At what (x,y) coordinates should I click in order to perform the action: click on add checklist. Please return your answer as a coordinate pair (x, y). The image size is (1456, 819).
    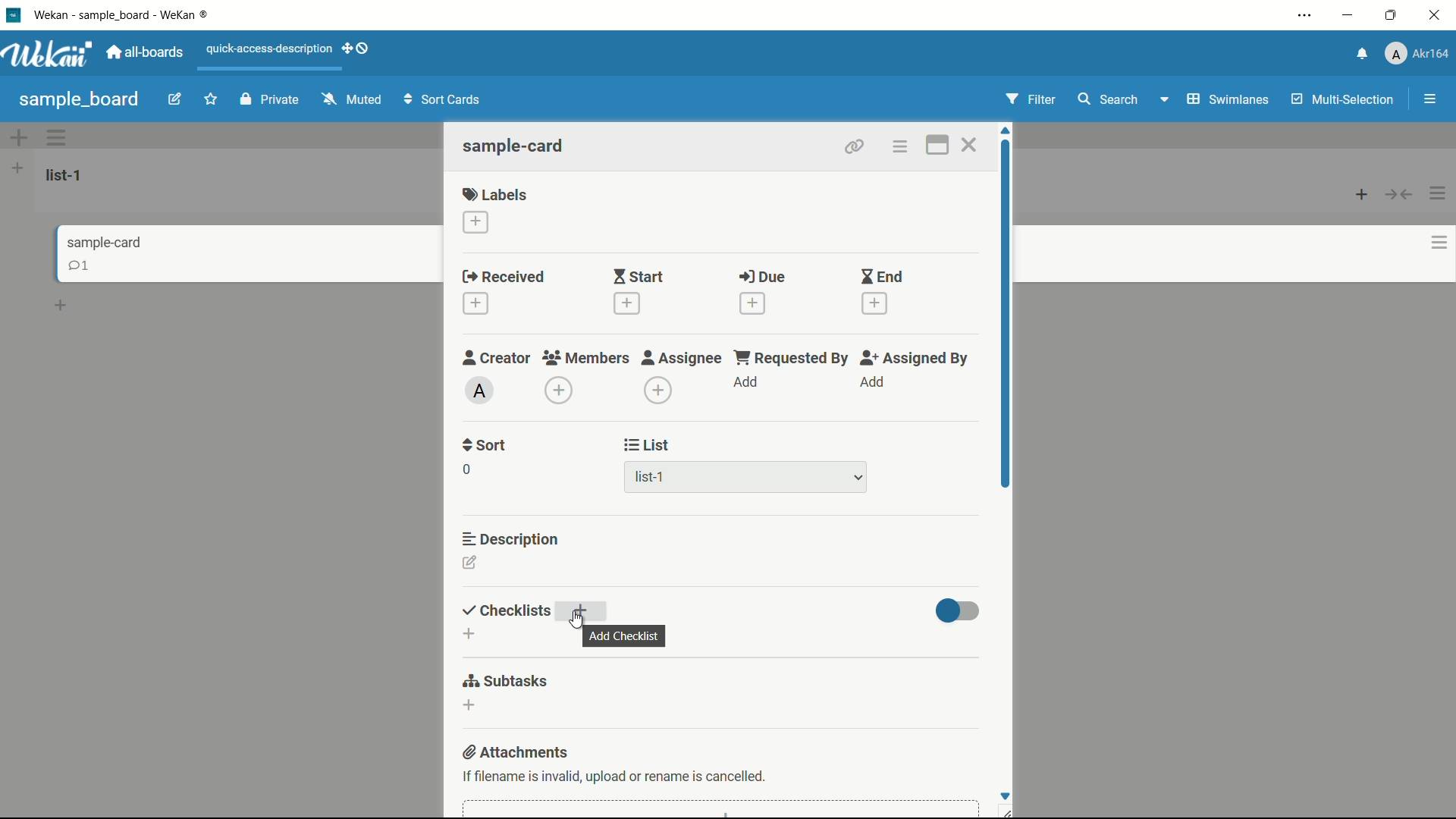
    Looking at the image, I should click on (625, 636).